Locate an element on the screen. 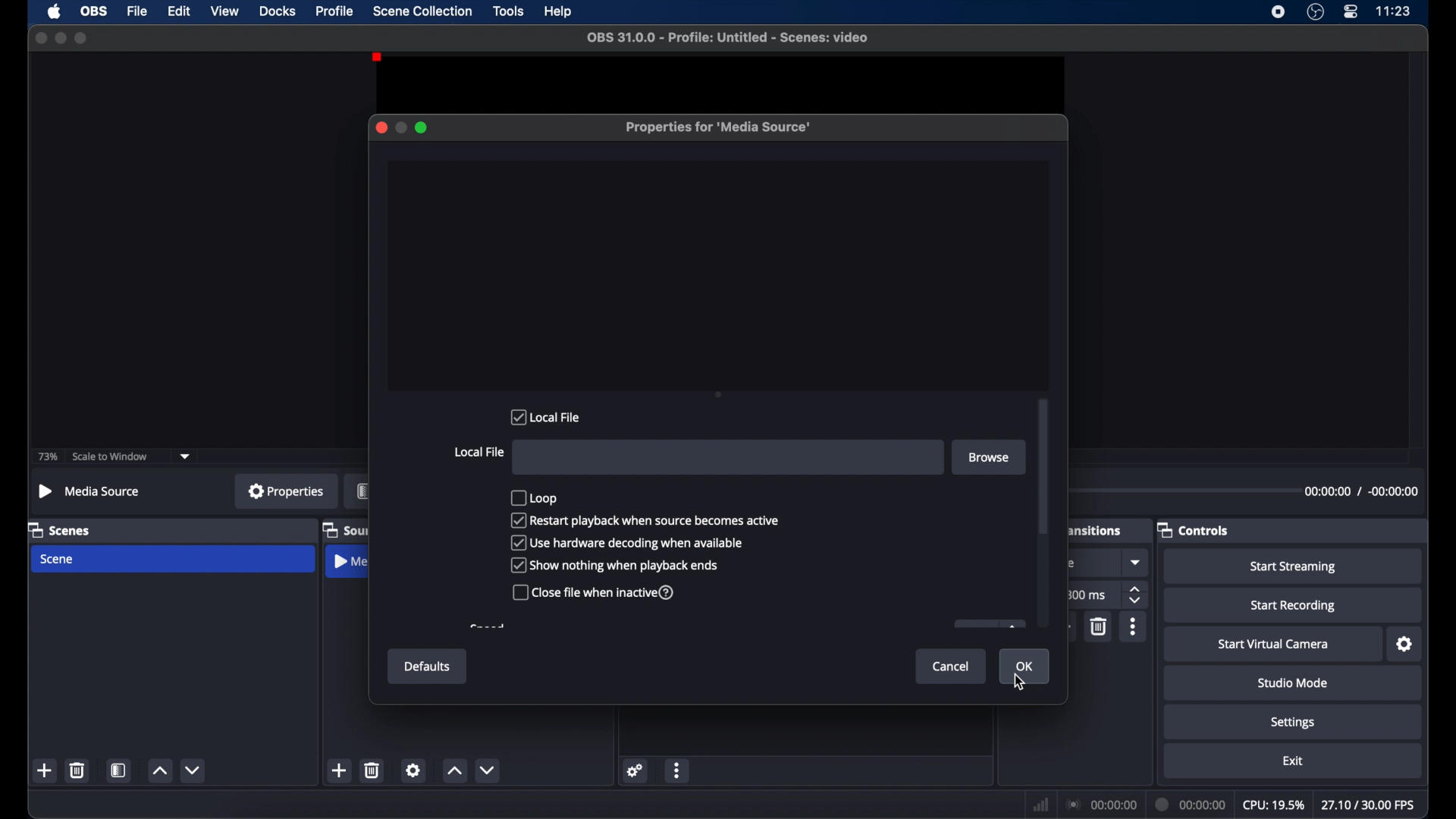  docks is located at coordinates (277, 11).